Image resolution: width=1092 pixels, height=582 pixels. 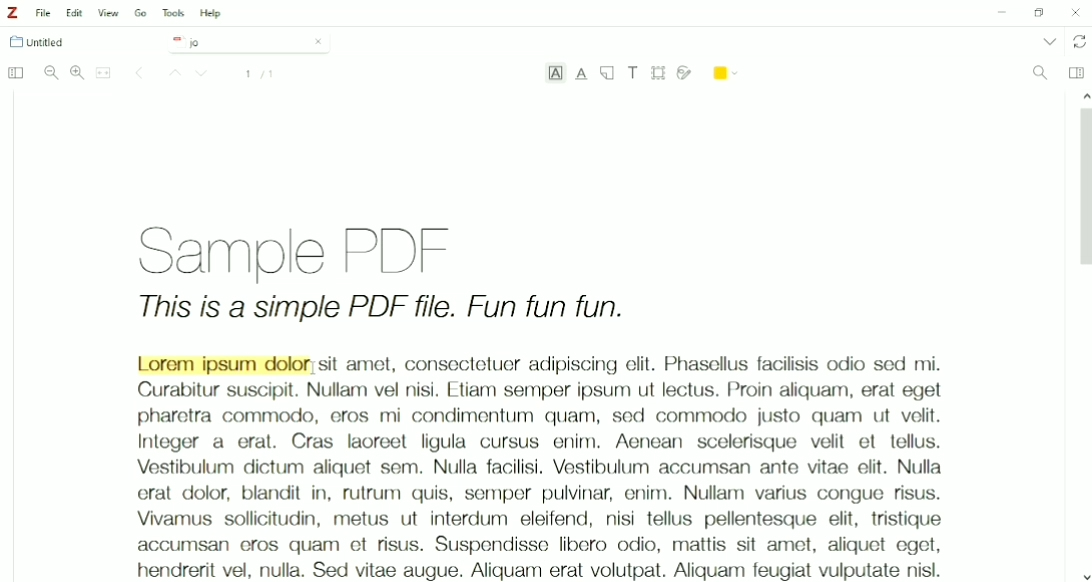 What do you see at coordinates (141, 12) in the screenshot?
I see `Go` at bounding box center [141, 12].